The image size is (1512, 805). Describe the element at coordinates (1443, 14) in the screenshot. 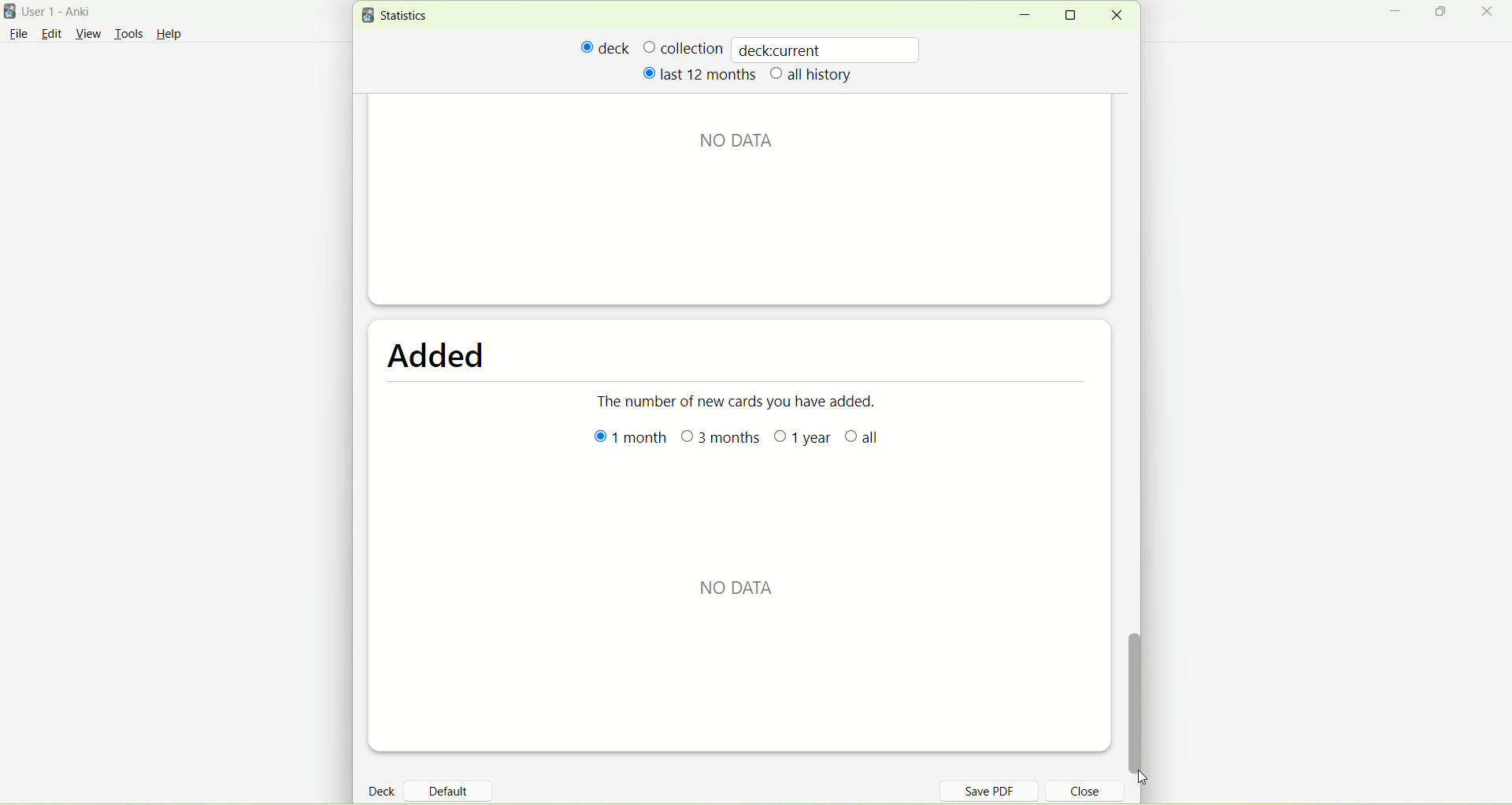

I see `maximize` at that location.